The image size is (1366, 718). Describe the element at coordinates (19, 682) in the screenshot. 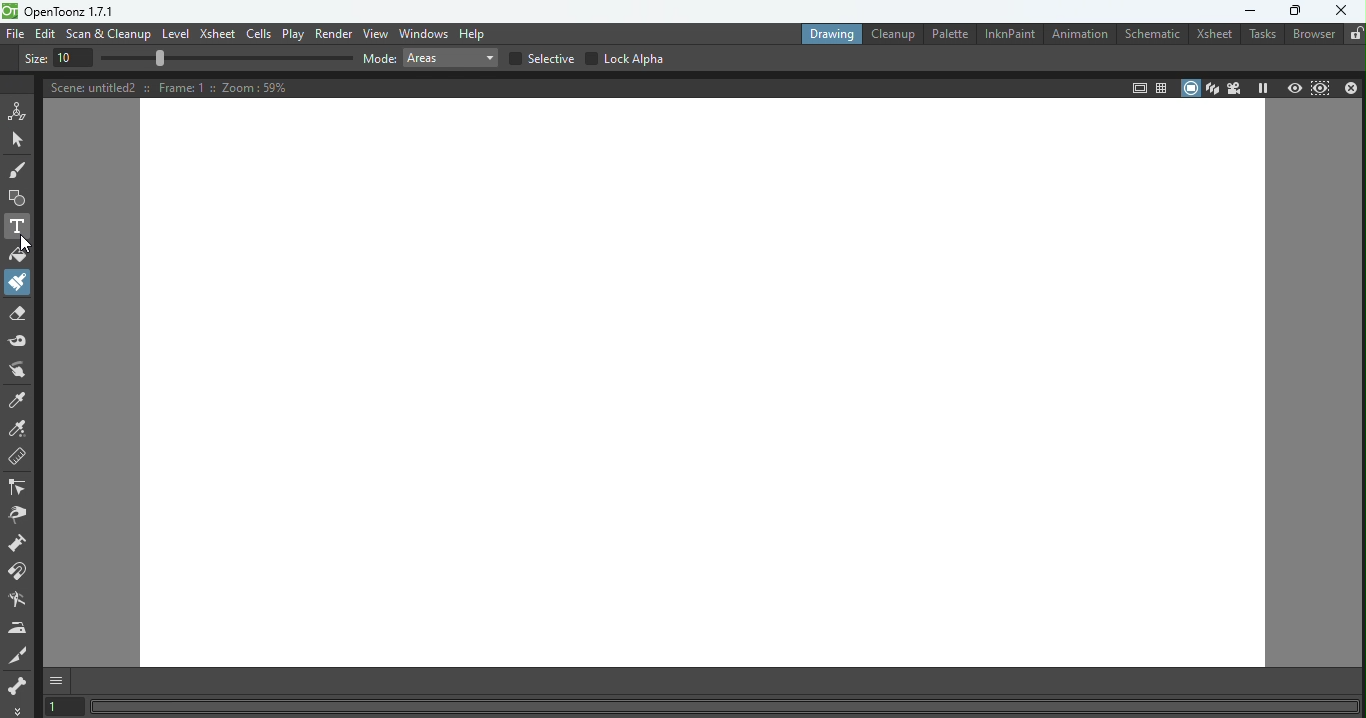

I see `skeleton tool` at that location.